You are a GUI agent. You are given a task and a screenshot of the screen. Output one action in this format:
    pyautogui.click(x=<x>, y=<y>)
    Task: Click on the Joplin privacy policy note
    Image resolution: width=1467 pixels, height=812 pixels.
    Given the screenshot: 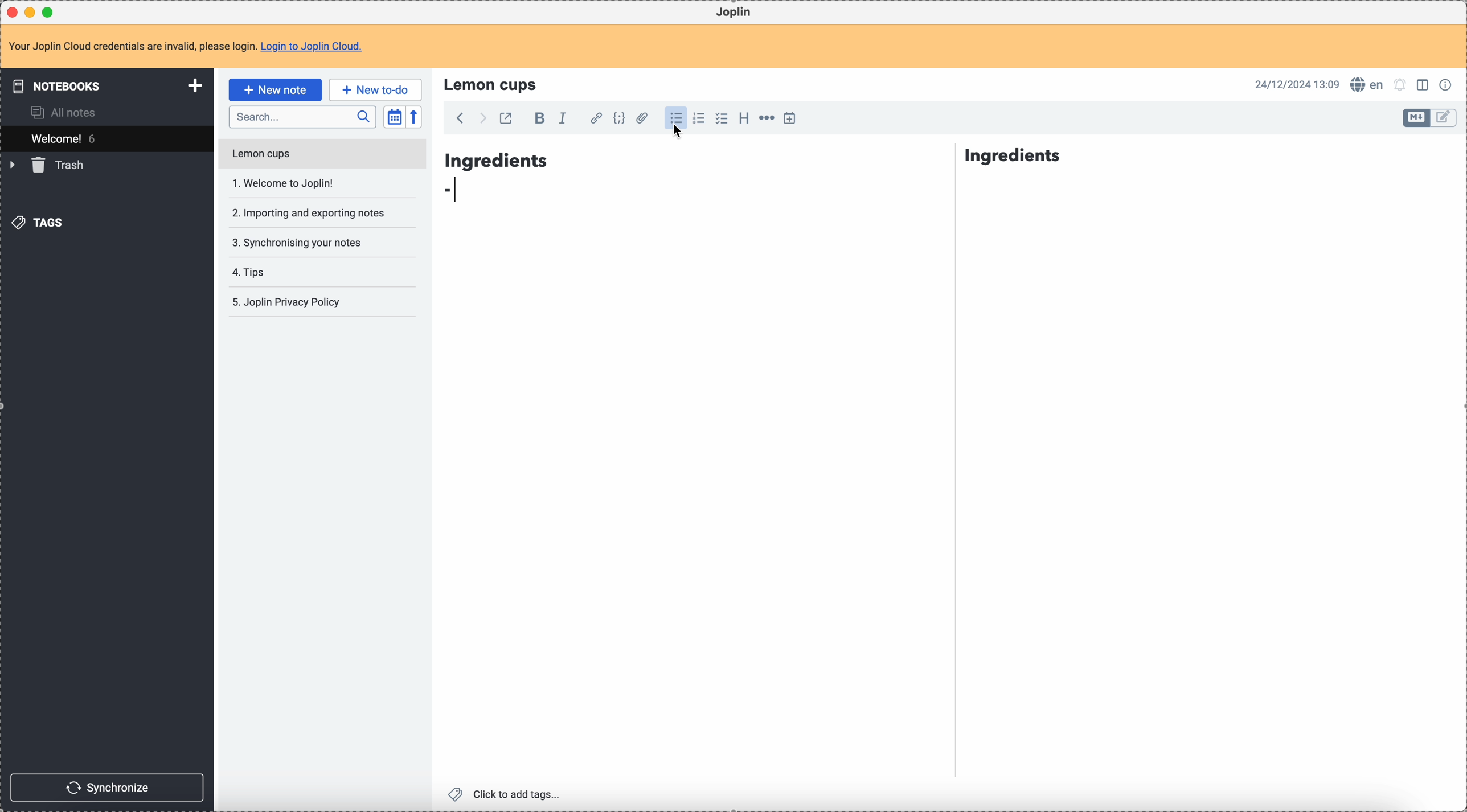 What is the action you would take?
    pyautogui.click(x=289, y=302)
    